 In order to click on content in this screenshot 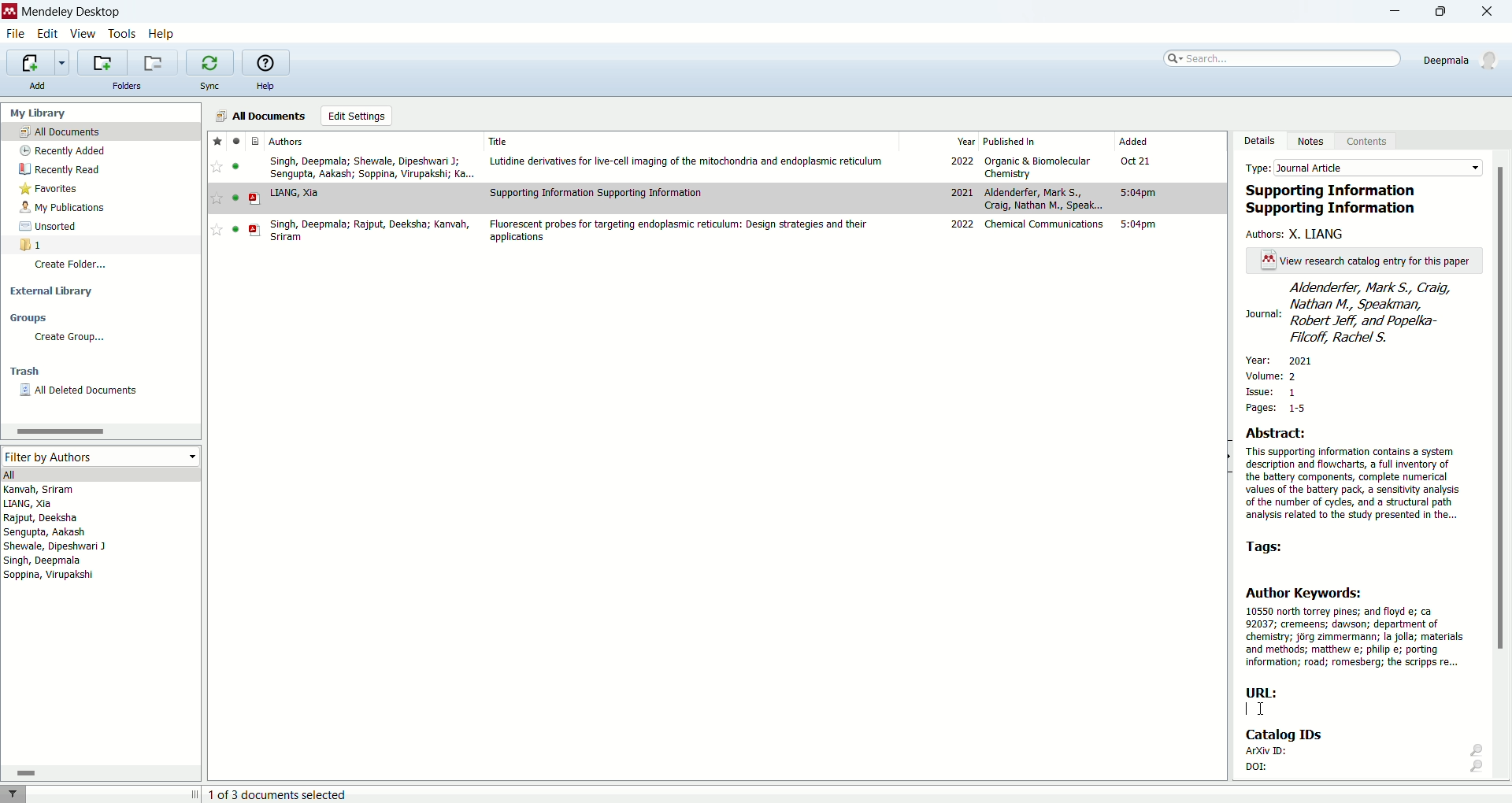, I will do `click(1372, 143)`.